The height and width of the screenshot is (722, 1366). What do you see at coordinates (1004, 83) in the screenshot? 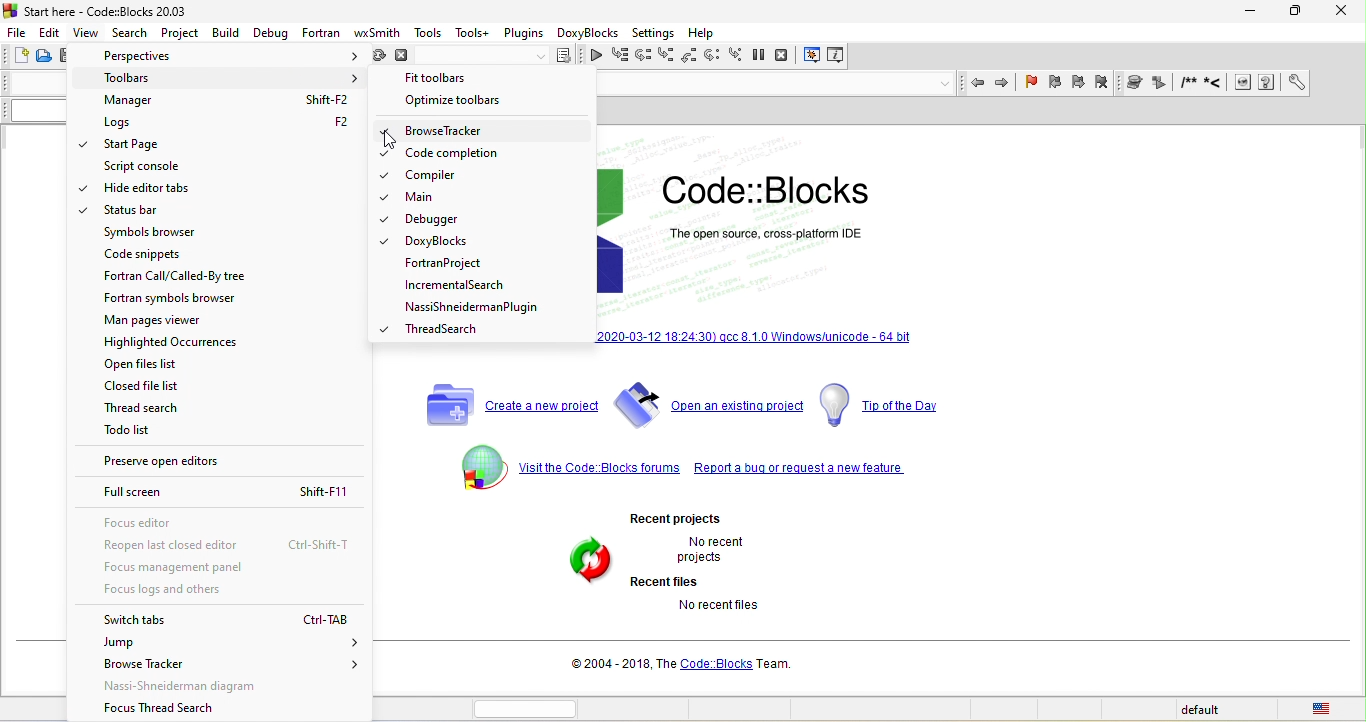
I see `jump forward` at bounding box center [1004, 83].